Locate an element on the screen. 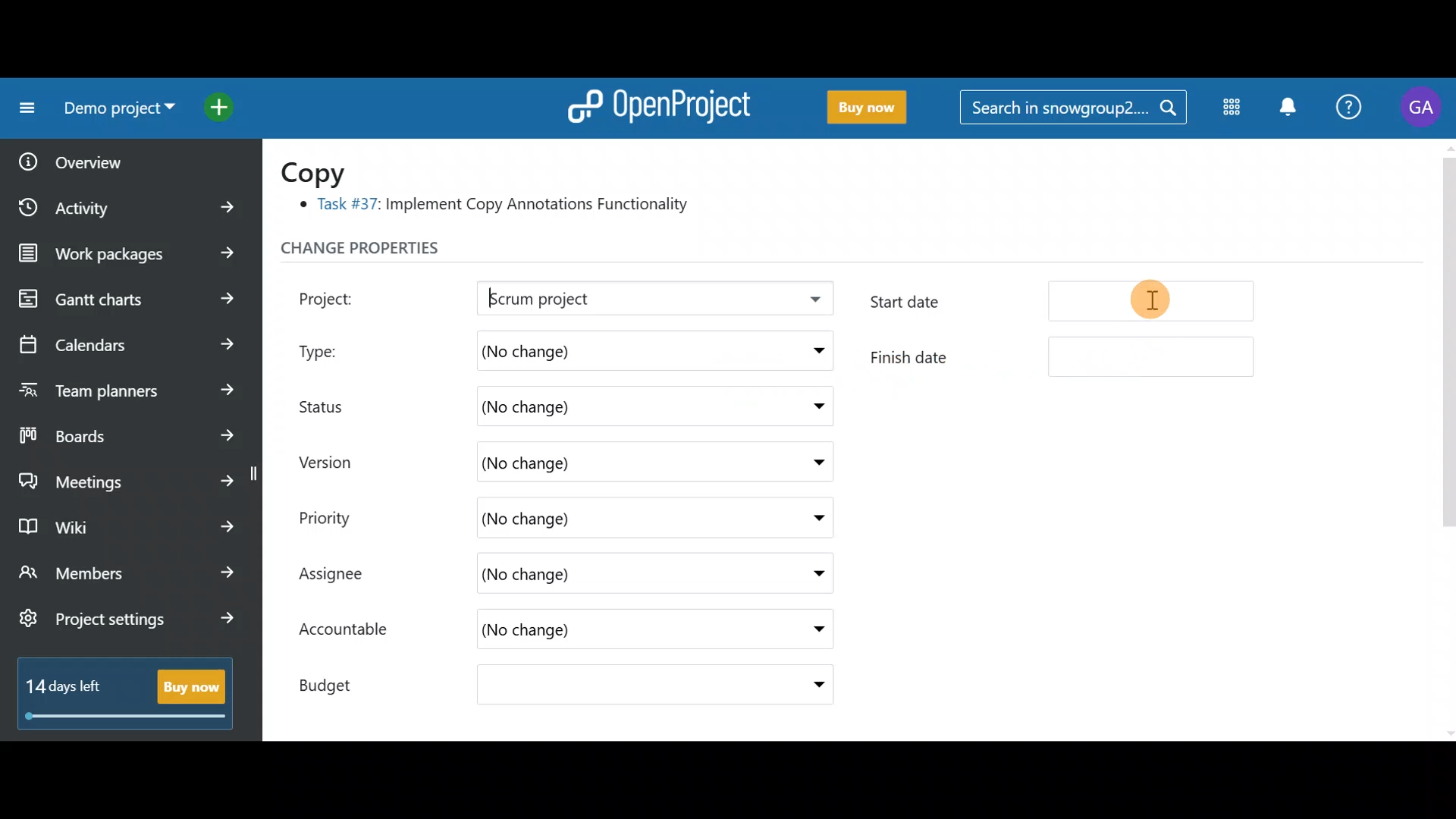  Boards is located at coordinates (128, 431).